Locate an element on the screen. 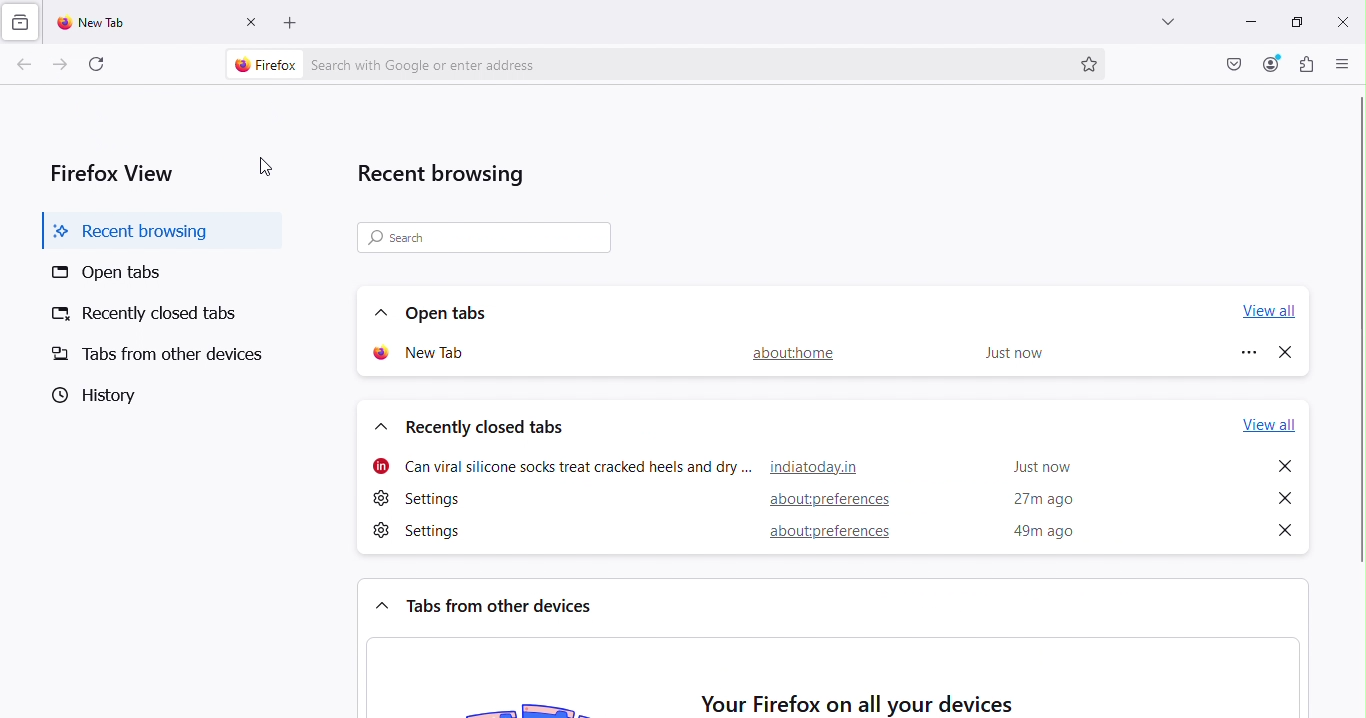  webpage is located at coordinates (544, 468).